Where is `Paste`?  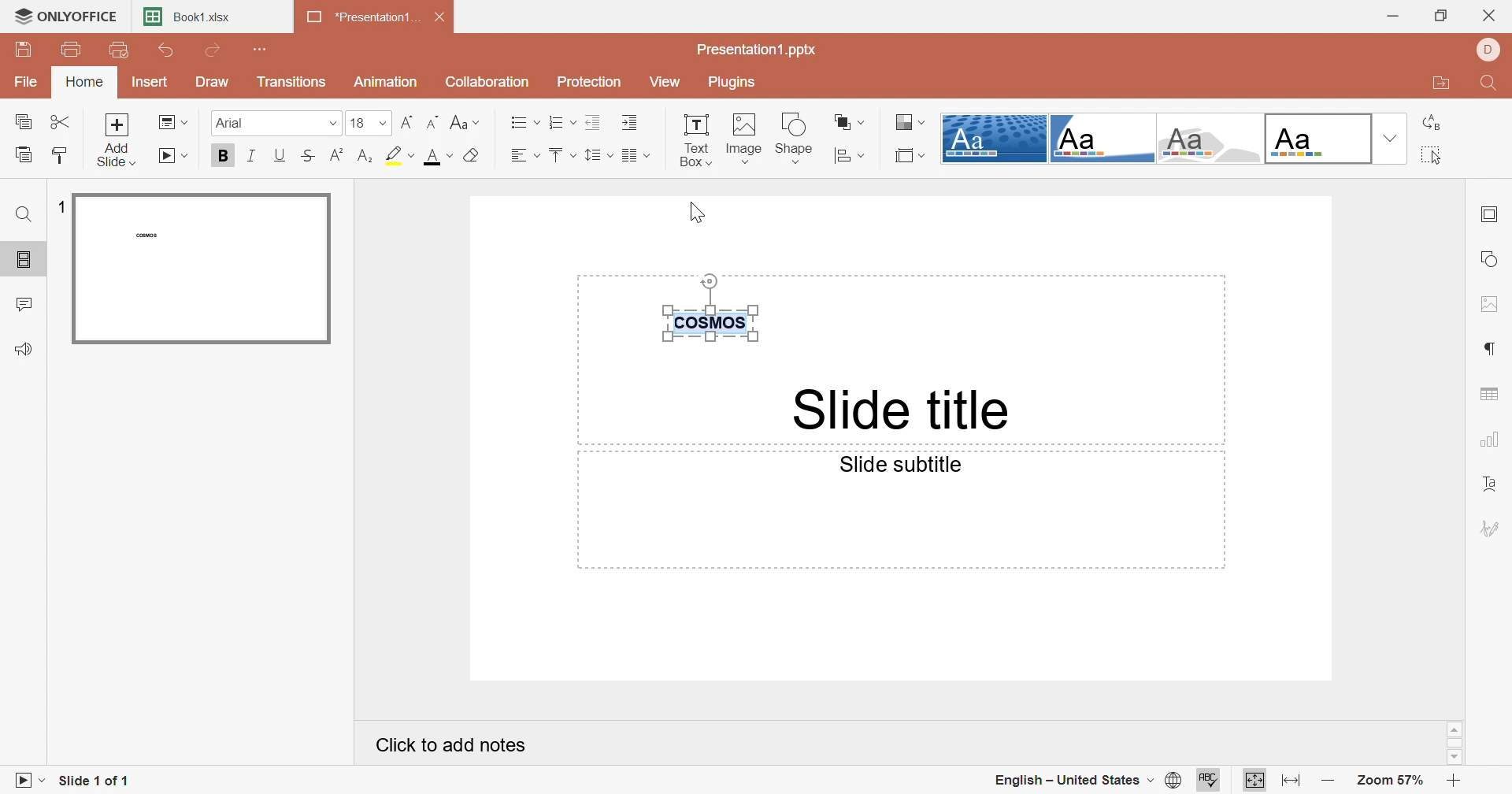
Paste is located at coordinates (17, 155).